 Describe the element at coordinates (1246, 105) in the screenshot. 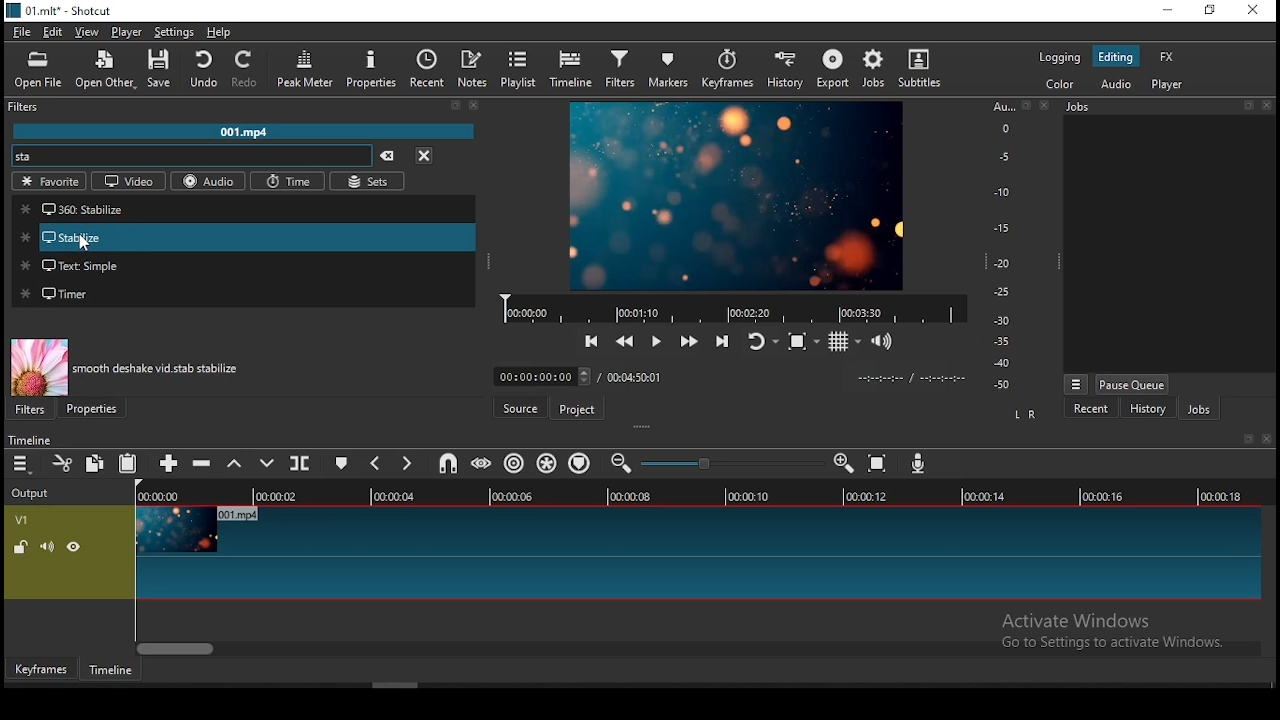

I see `fullscreen` at that location.